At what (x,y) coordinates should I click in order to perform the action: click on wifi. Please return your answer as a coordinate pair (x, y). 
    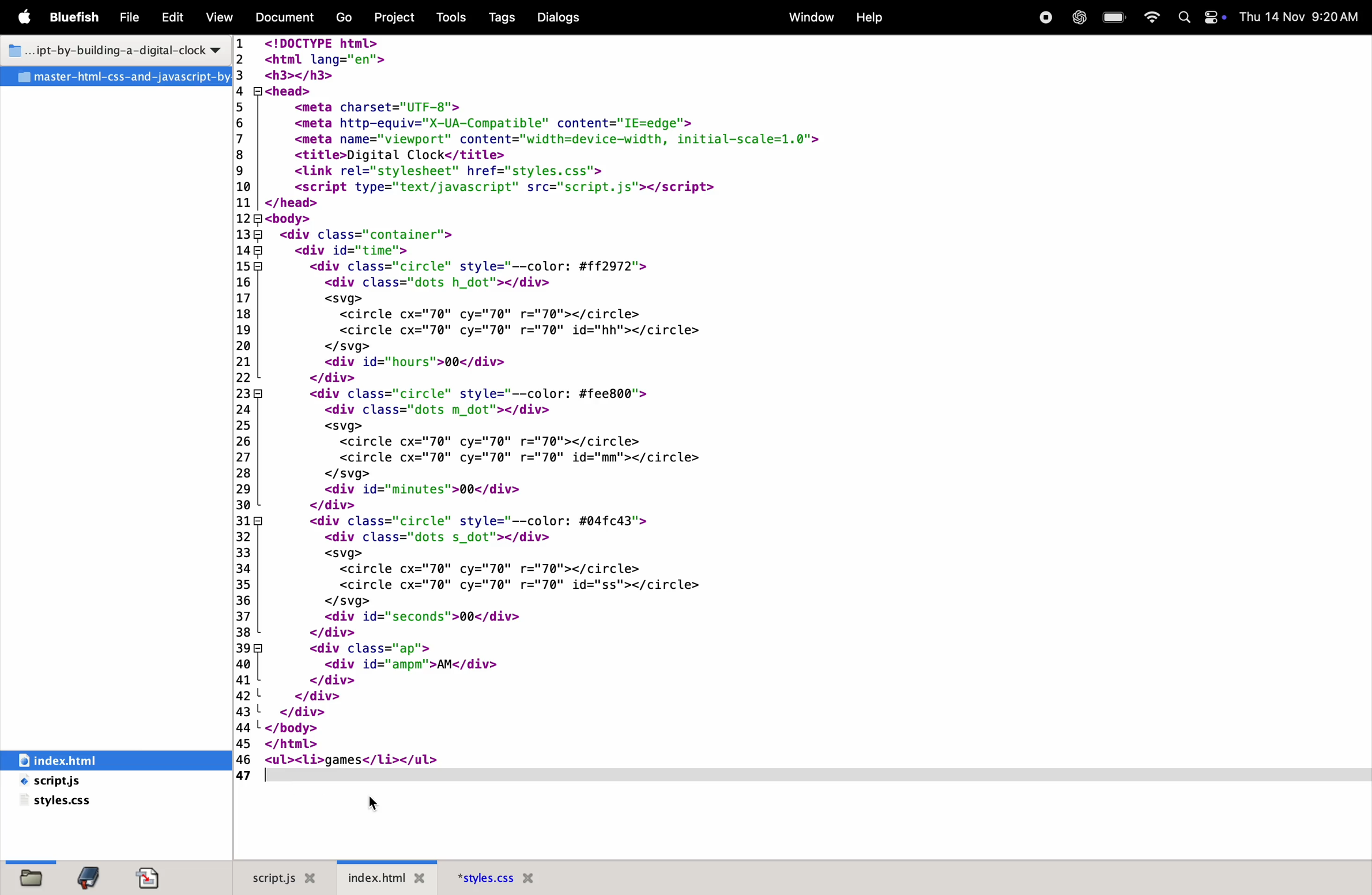
    Looking at the image, I should click on (1151, 18).